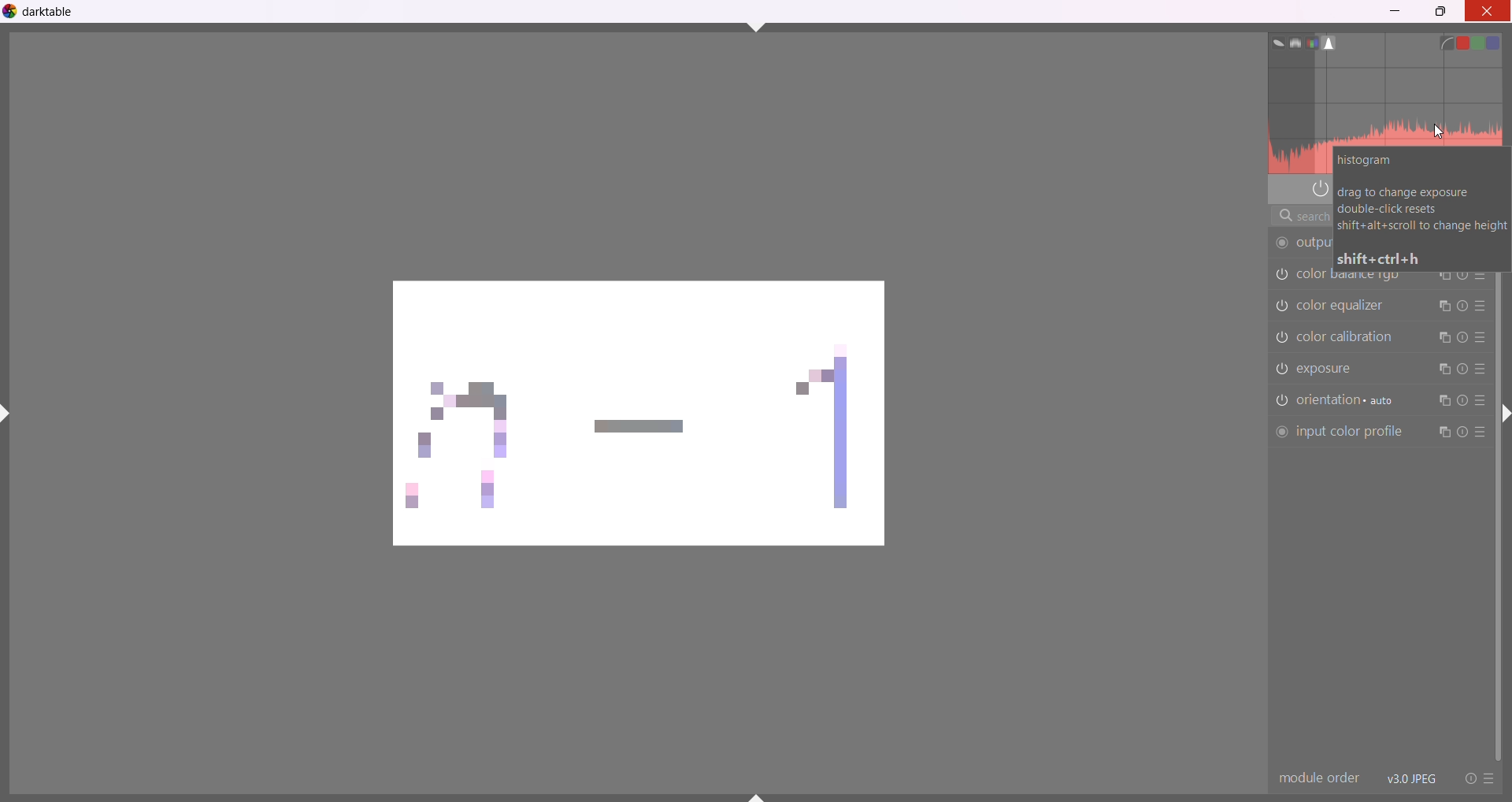 The height and width of the screenshot is (802, 1512). What do you see at coordinates (757, 26) in the screenshot?
I see `shift+ctrl+t` at bounding box center [757, 26].